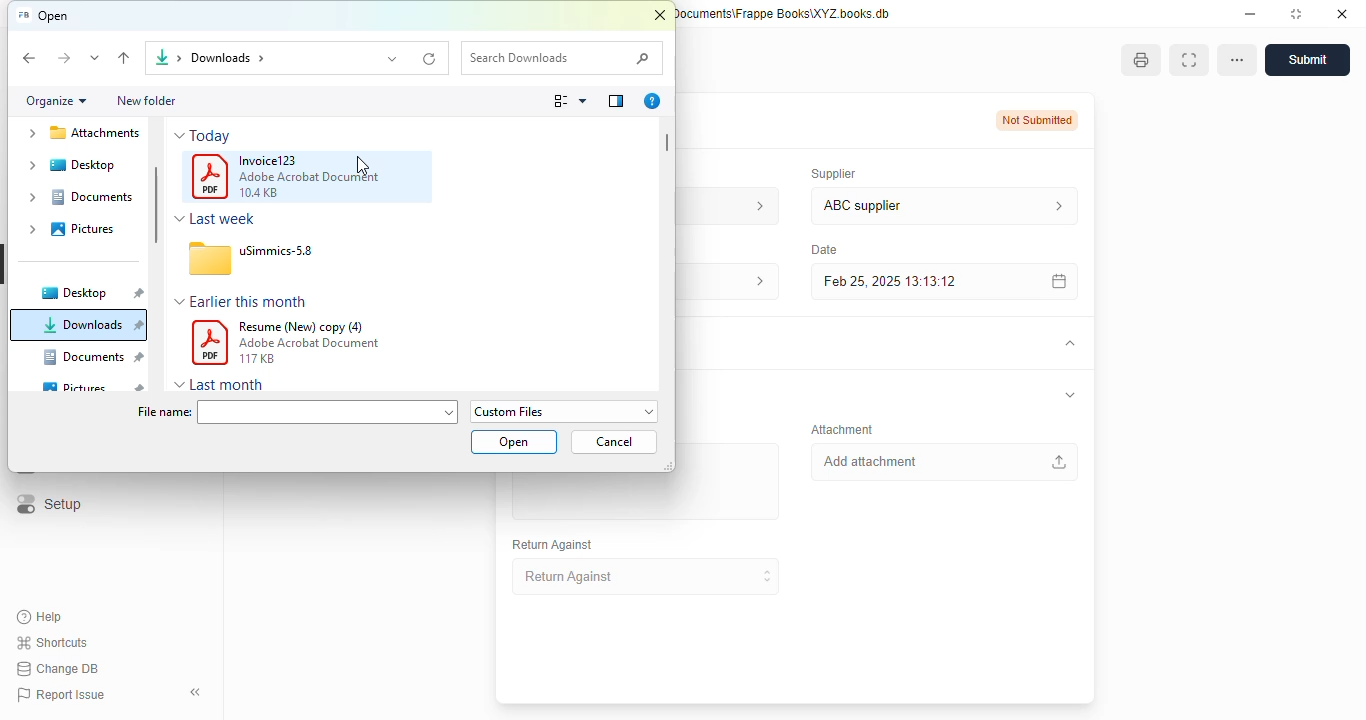  Describe the element at coordinates (1055, 281) in the screenshot. I see `calendar icon` at that location.